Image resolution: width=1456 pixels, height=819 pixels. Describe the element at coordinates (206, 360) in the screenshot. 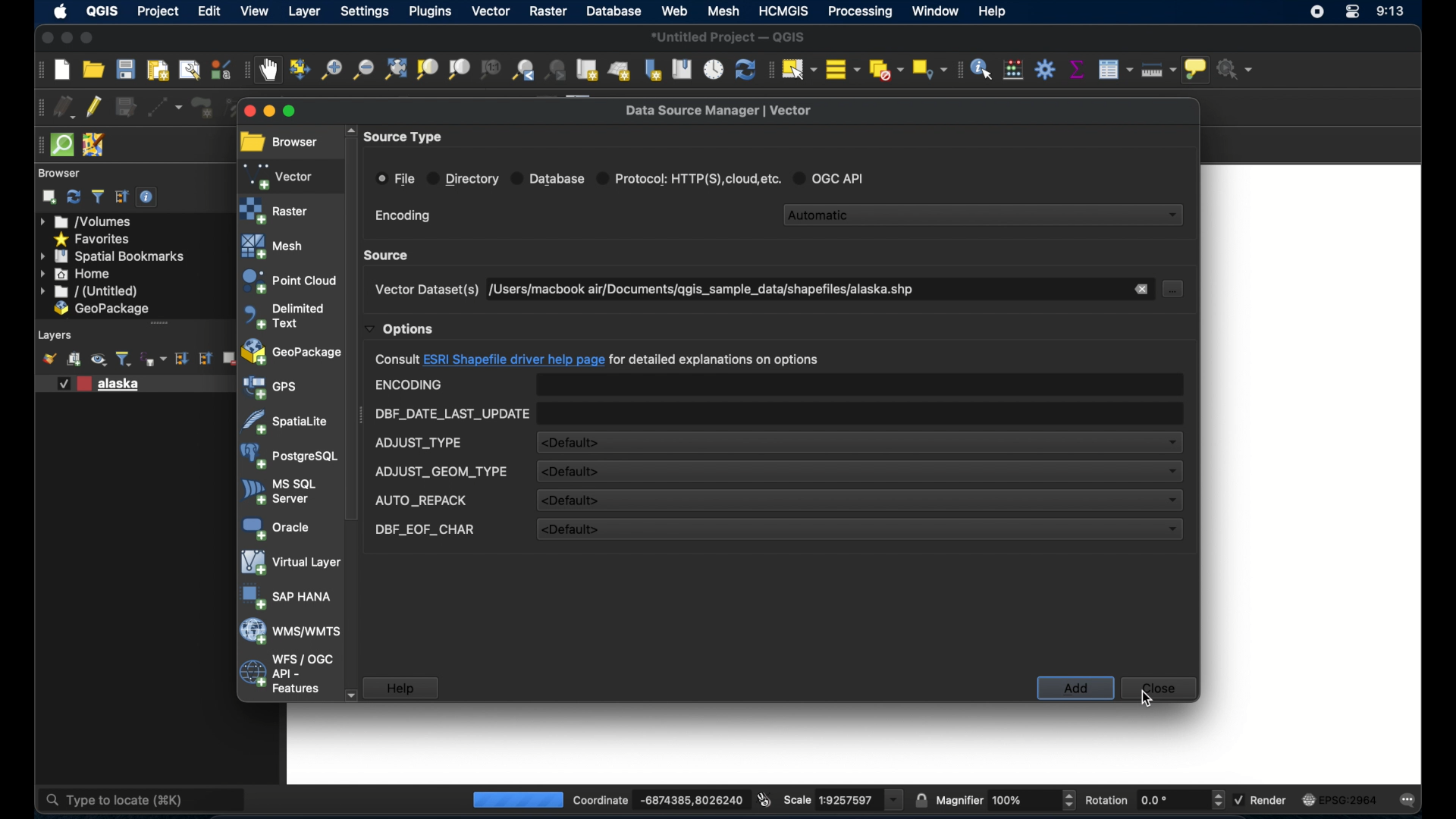

I see `collapse all` at that location.